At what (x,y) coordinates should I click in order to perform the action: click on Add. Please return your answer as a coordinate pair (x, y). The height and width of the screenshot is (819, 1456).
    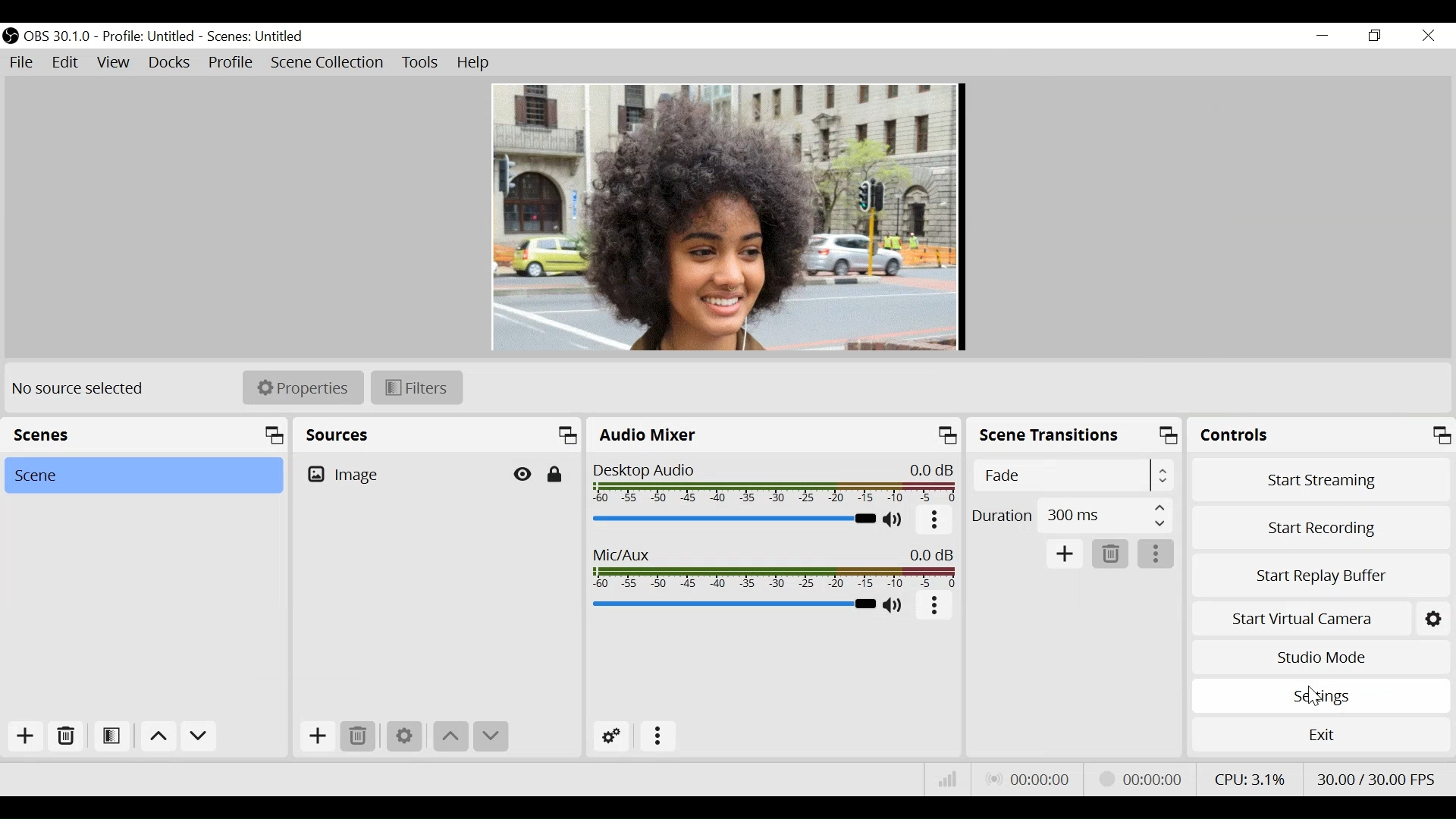
    Looking at the image, I should click on (28, 736).